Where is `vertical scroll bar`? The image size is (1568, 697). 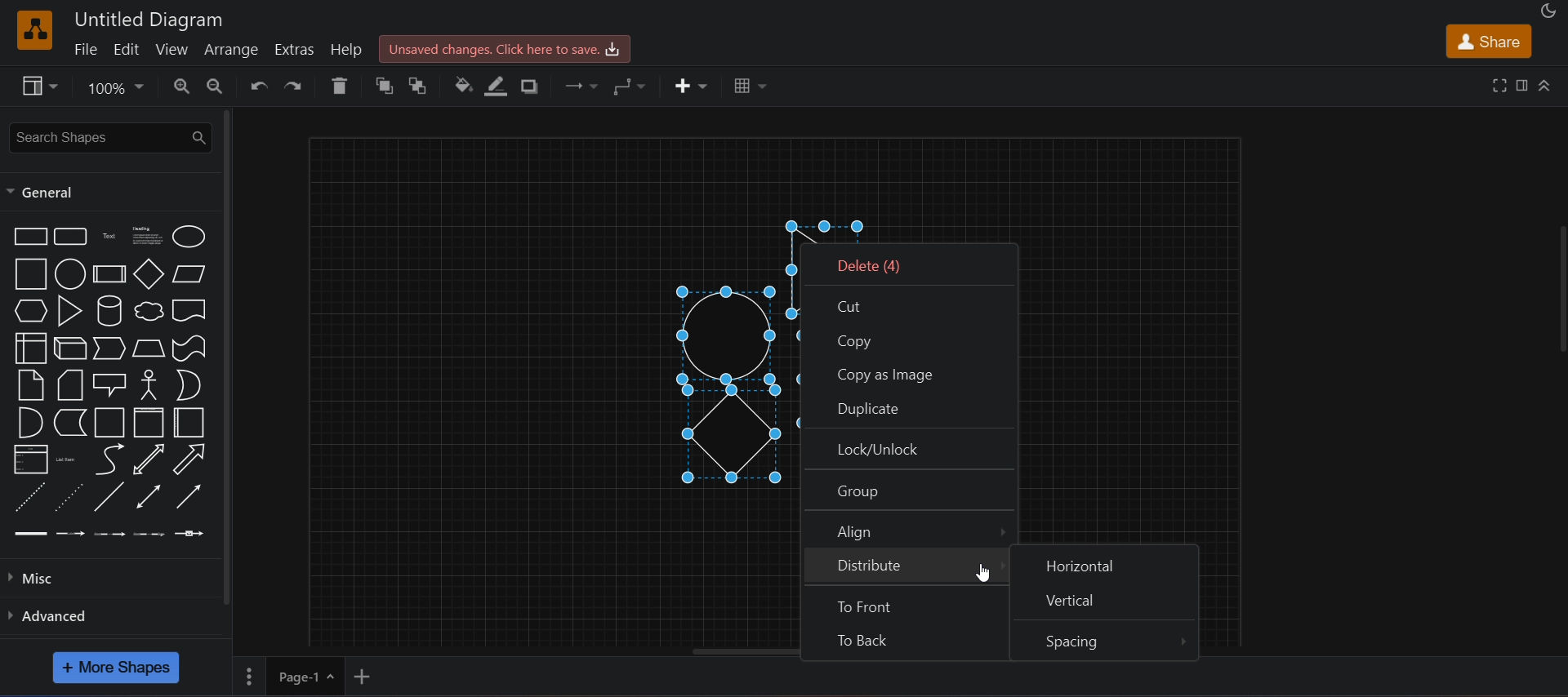 vertical scroll bar is located at coordinates (226, 356).